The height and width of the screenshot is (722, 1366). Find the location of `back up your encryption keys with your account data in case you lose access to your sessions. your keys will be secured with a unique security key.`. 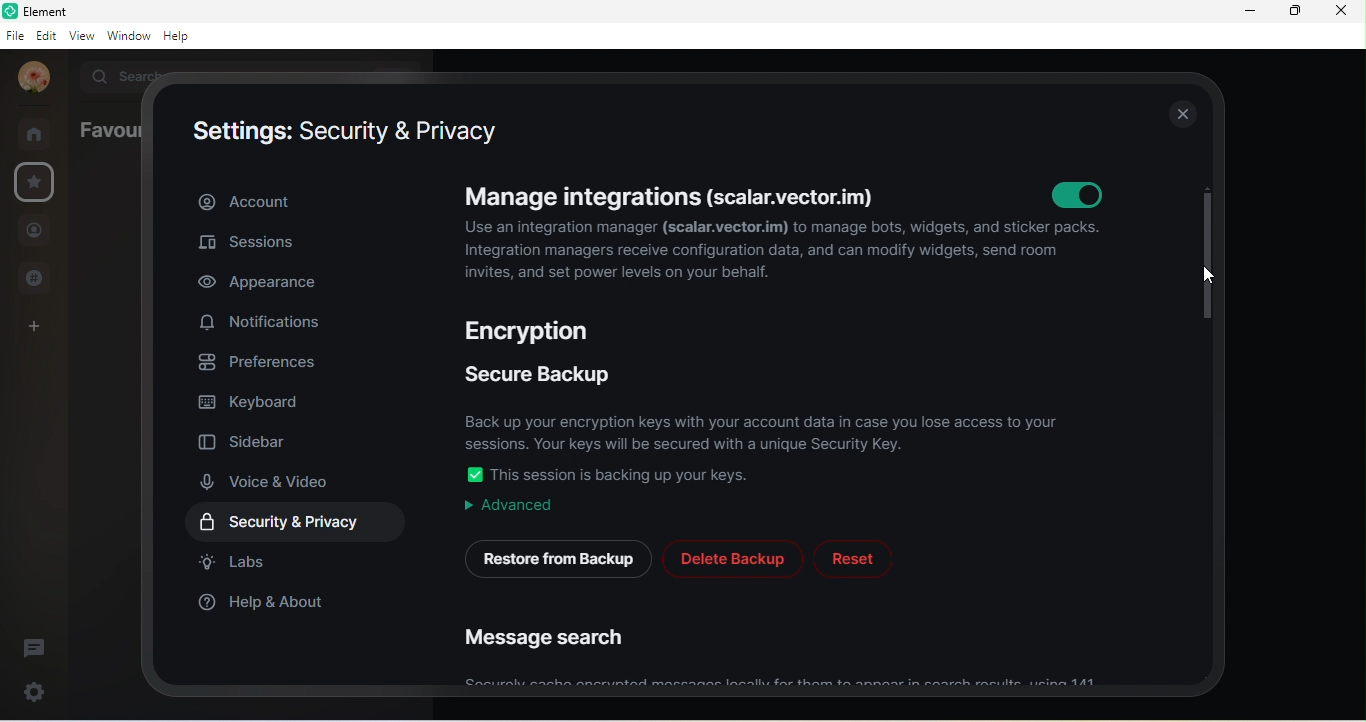

back up your encryption keys with your account data in case you lose access to your sessions. your keys will be secured with a unique security key. is located at coordinates (768, 428).